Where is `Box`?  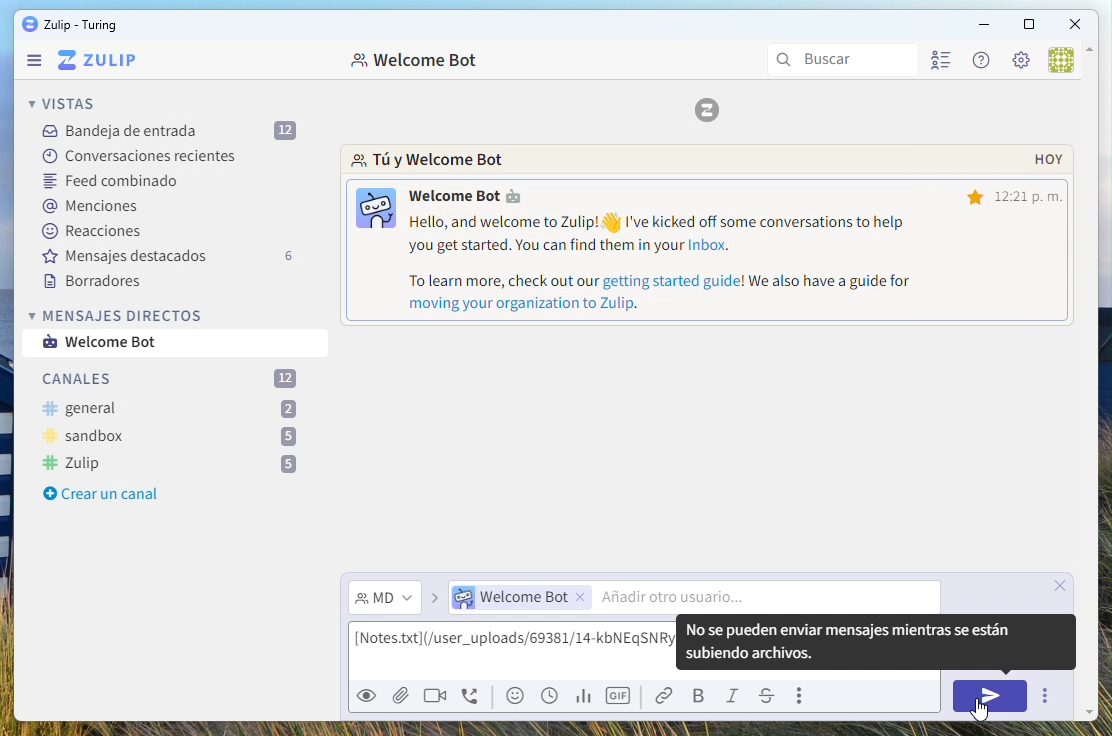
Box is located at coordinates (1028, 26).